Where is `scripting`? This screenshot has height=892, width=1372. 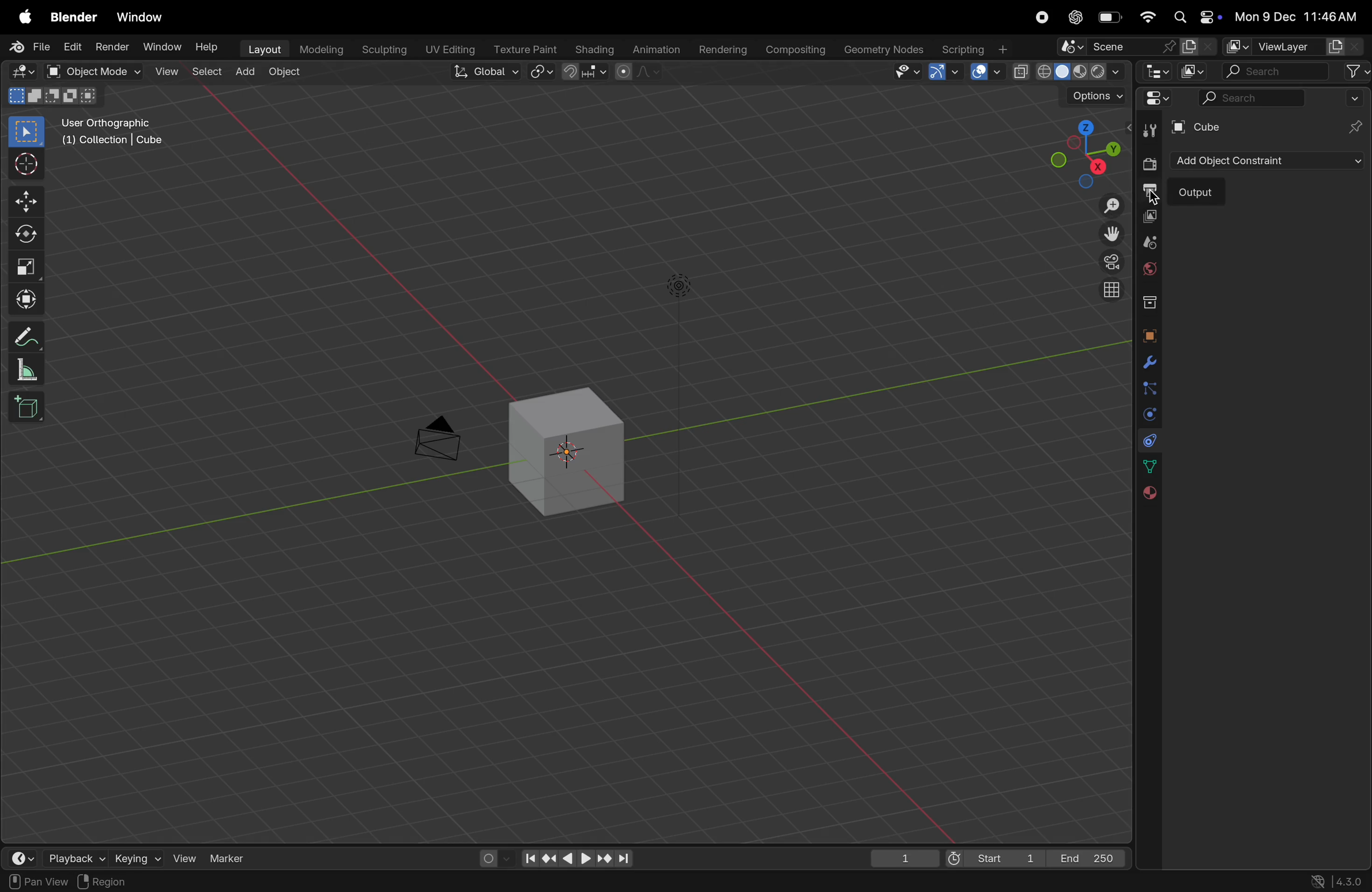
scripting is located at coordinates (979, 48).